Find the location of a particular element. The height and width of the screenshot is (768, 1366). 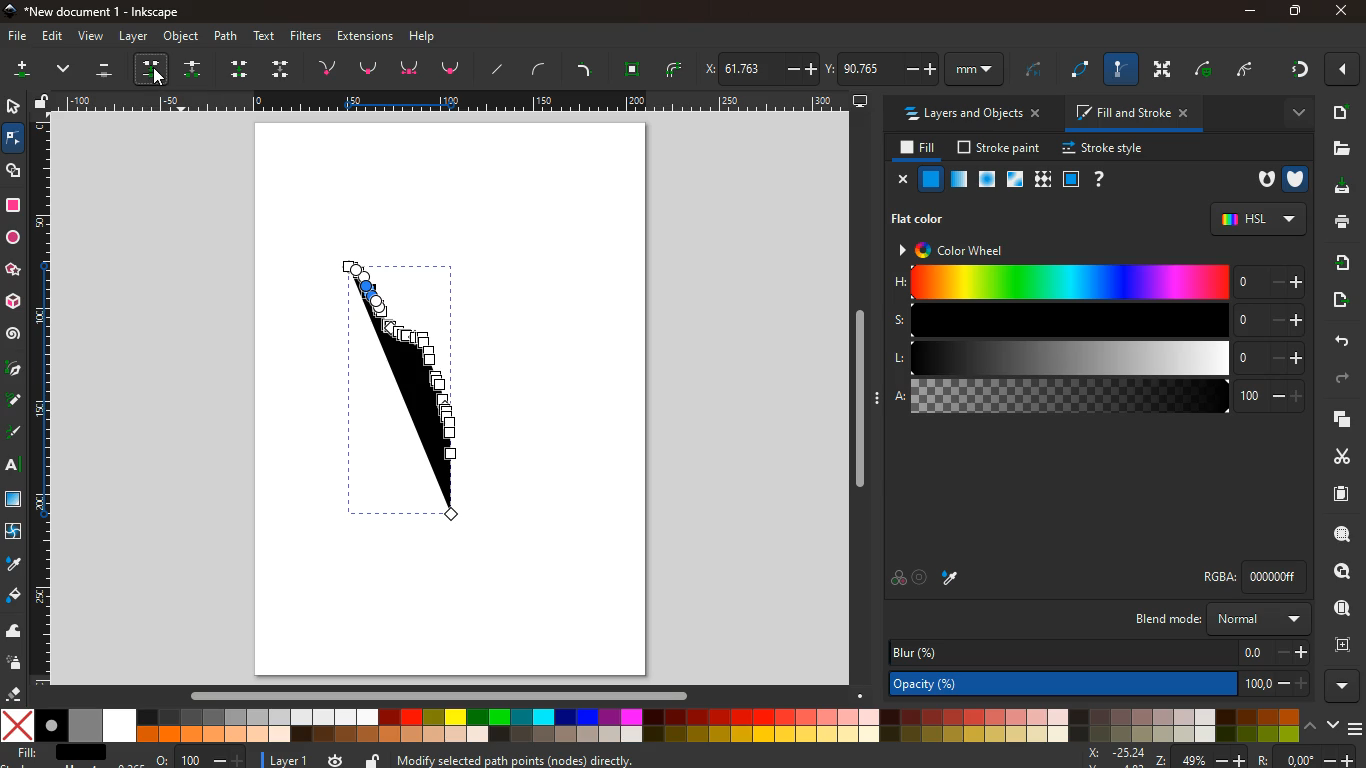

fill is located at coordinates (914, 148).